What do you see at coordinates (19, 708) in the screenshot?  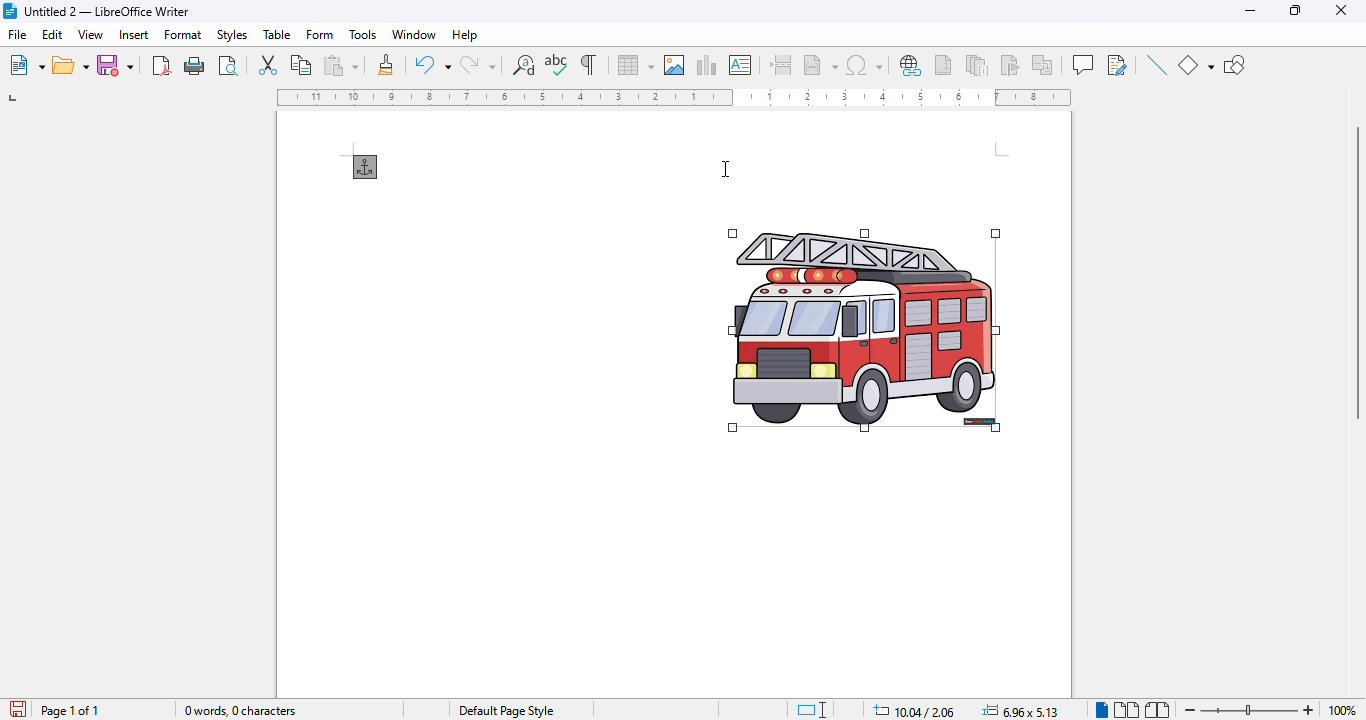 I see `click to save document` at bounding box center [19, 708].